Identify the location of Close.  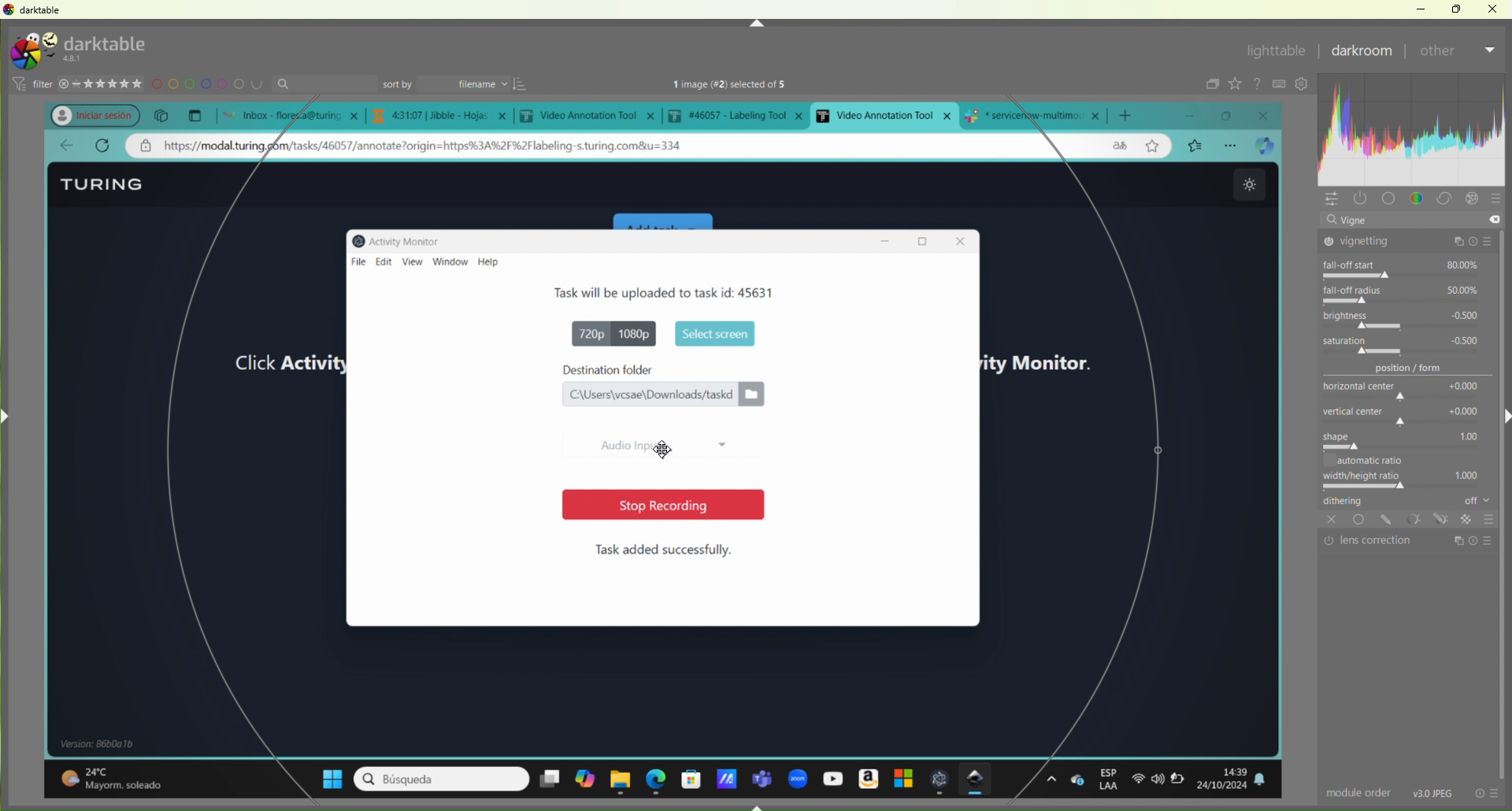
(1492, 9).